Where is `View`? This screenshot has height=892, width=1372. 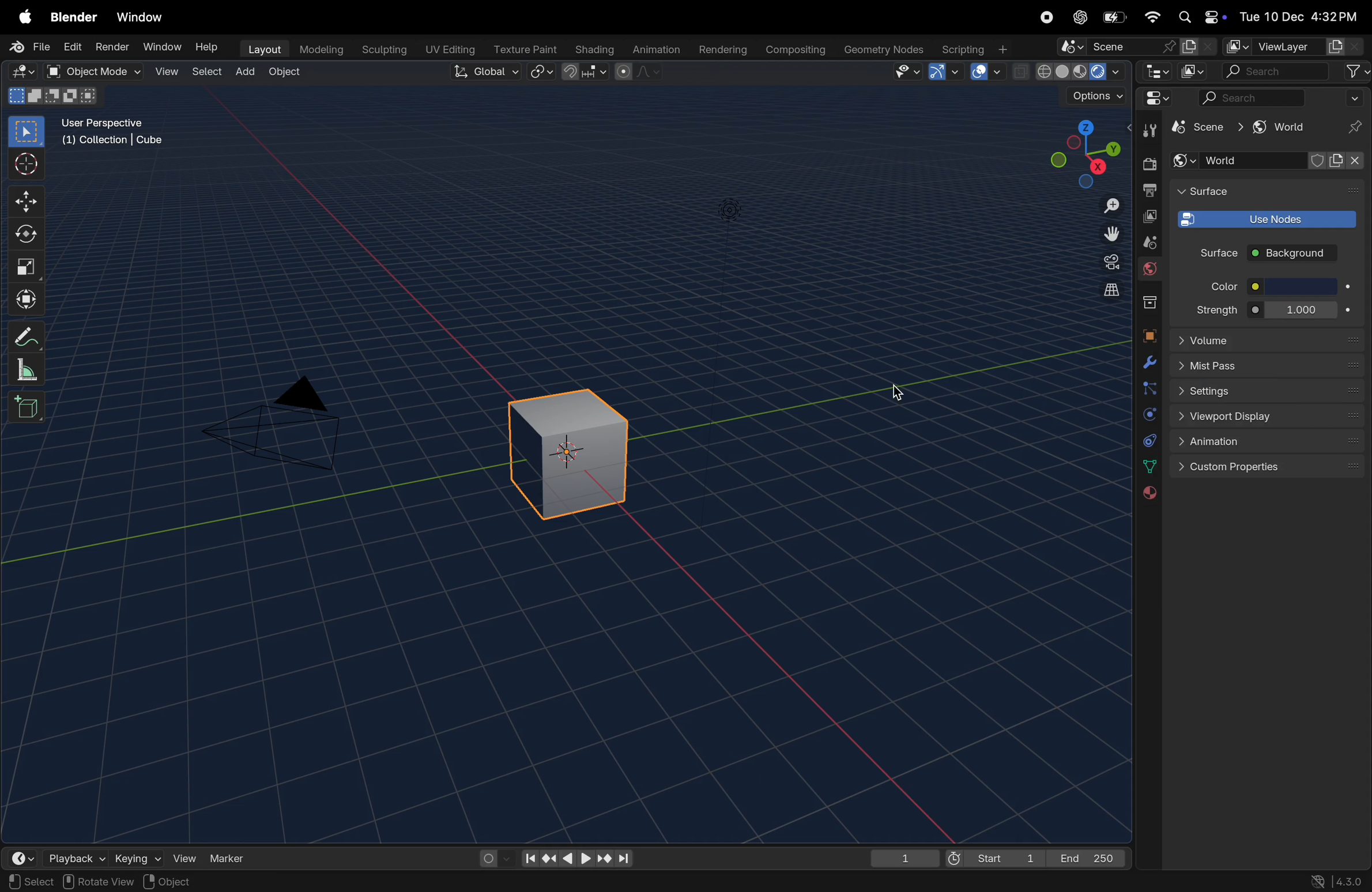 View is located at coordinates (166, 71).